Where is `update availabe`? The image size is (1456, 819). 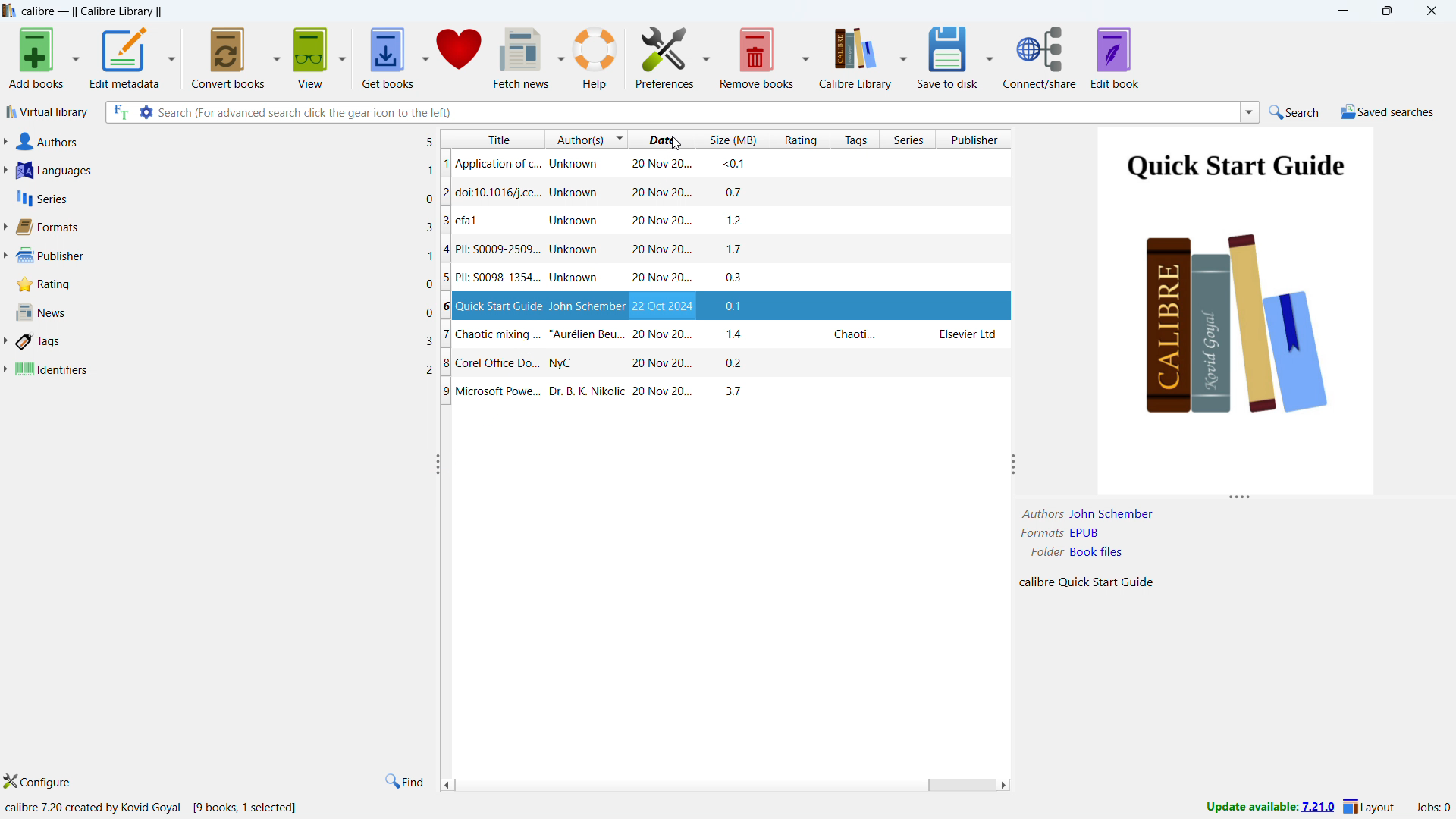 update availabe is located at coordinates (1269, 808).